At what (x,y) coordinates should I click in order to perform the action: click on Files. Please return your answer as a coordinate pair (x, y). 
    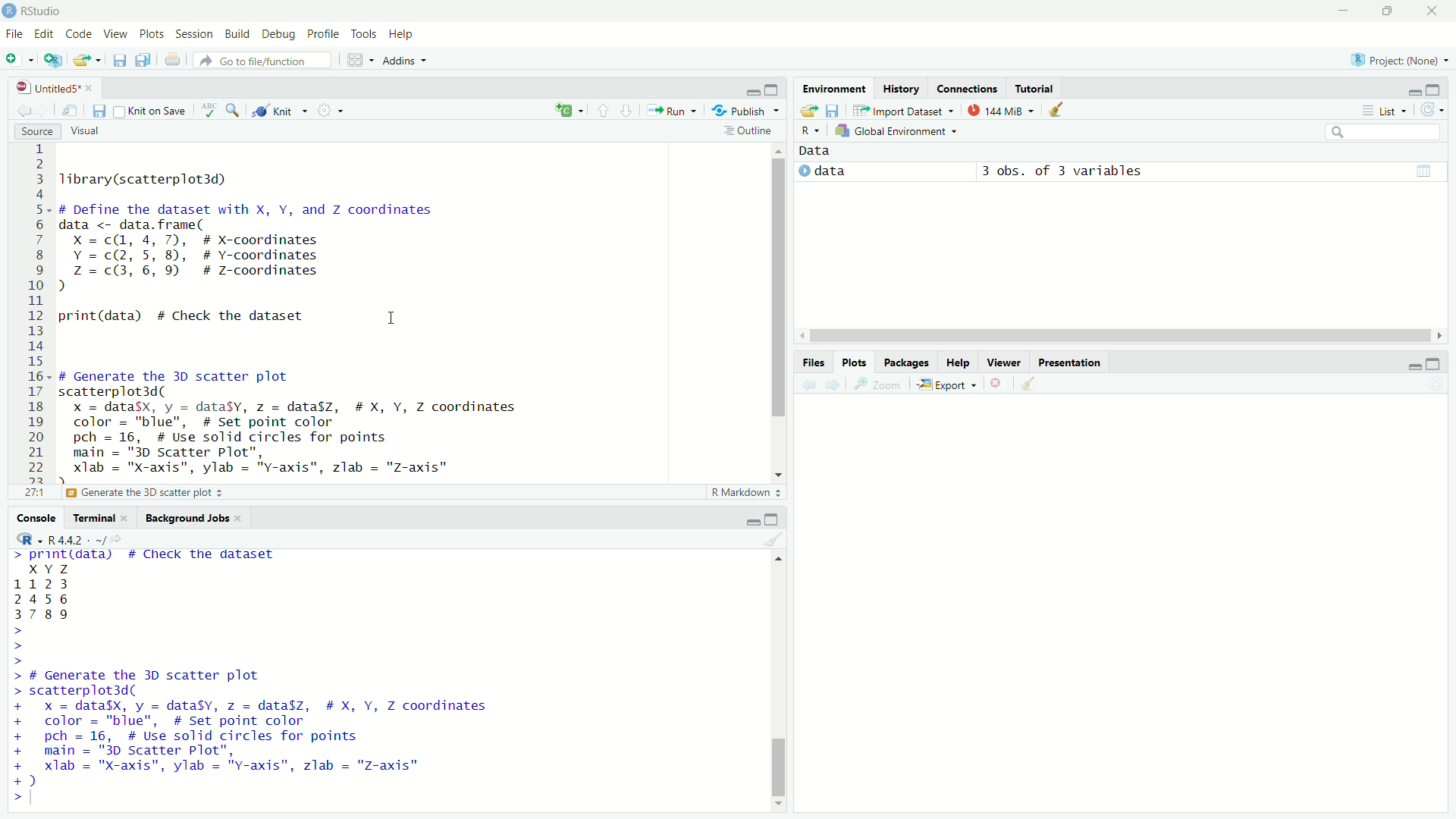
    Looking at the image, I should click on (814, 362).